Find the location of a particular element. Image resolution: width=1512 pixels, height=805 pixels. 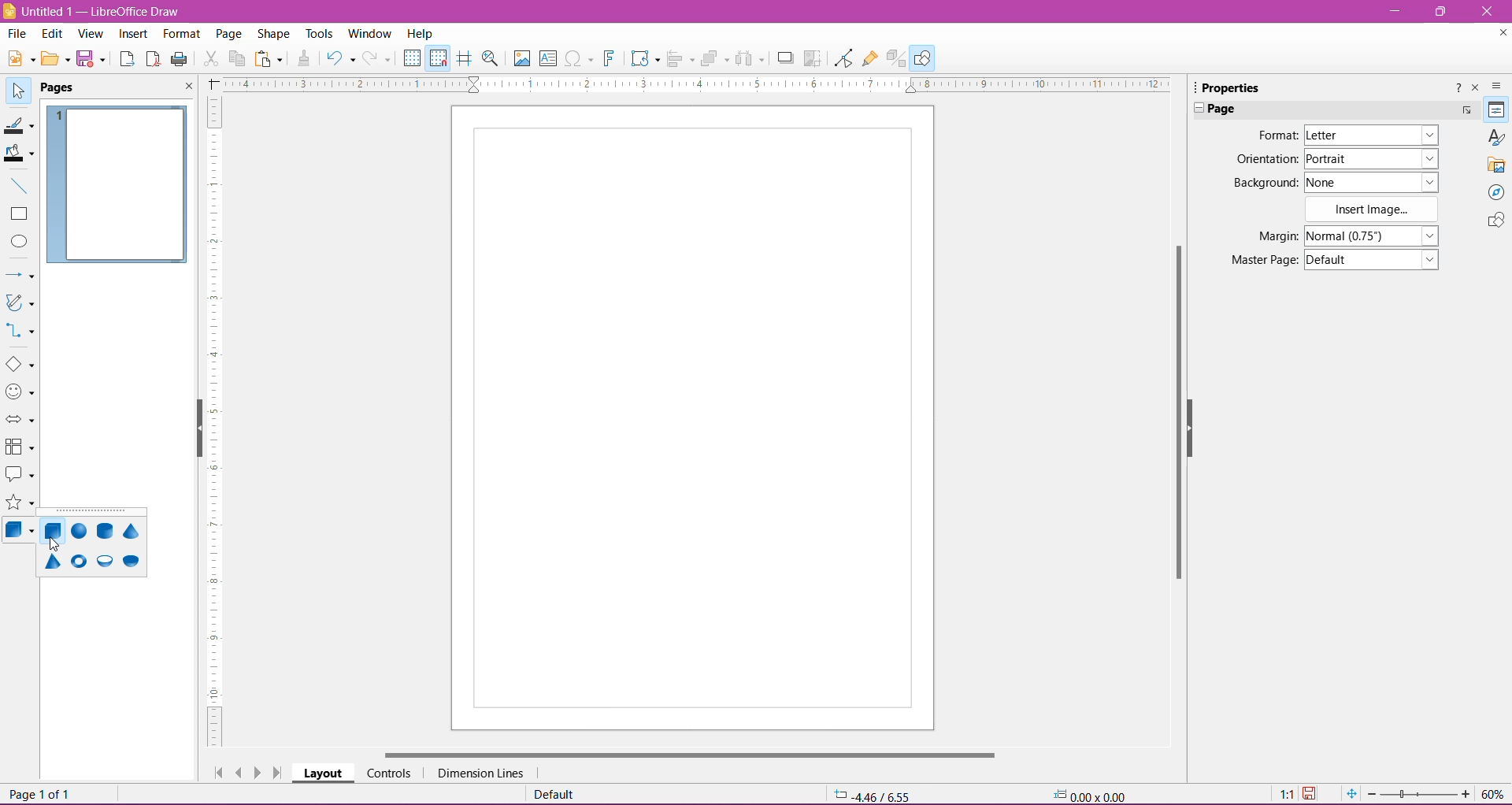

Half-Sphere is located at coordinates (130, 562).